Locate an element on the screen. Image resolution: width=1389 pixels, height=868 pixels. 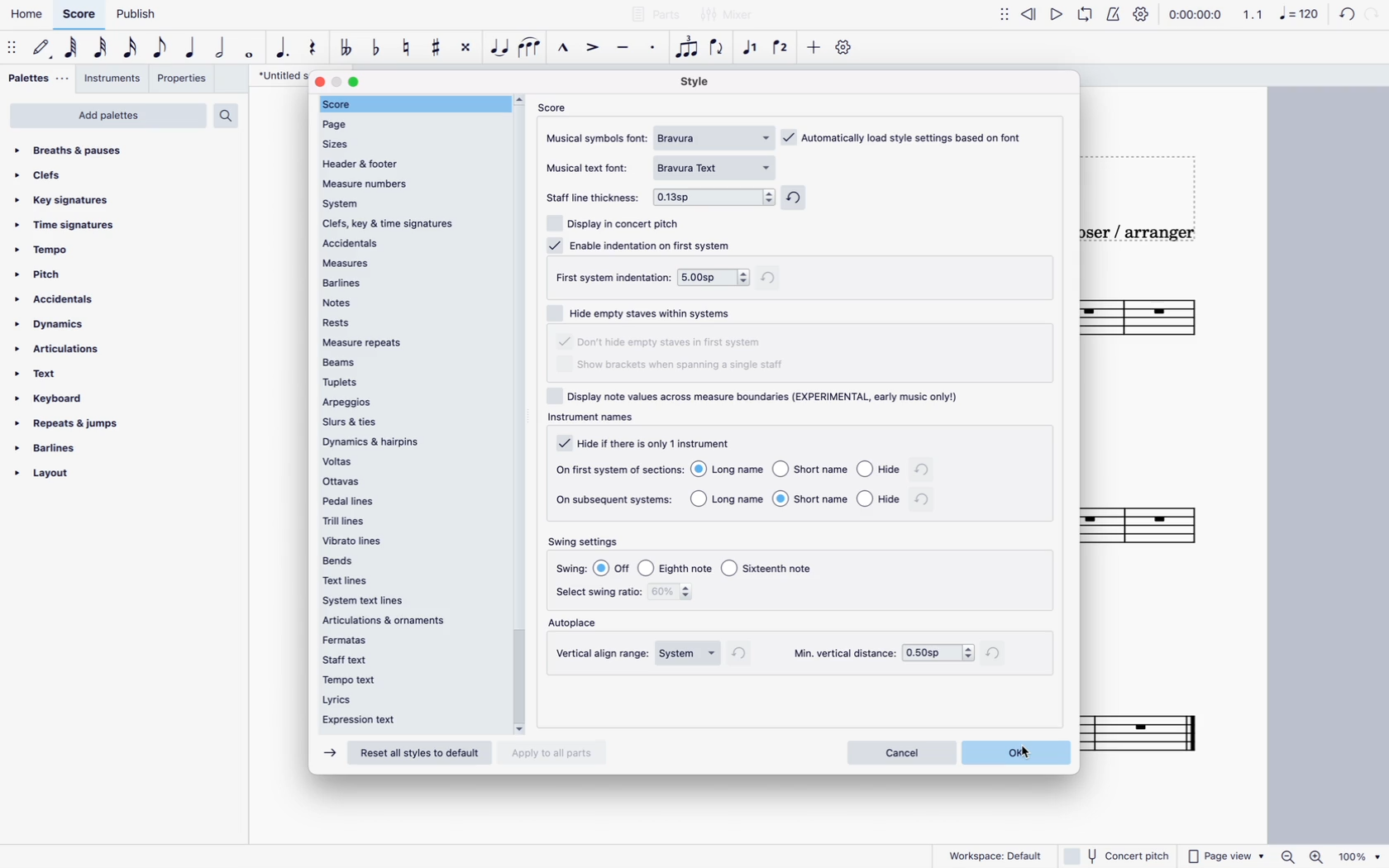
Display in concert pitch is located at coordinates (613, 222).